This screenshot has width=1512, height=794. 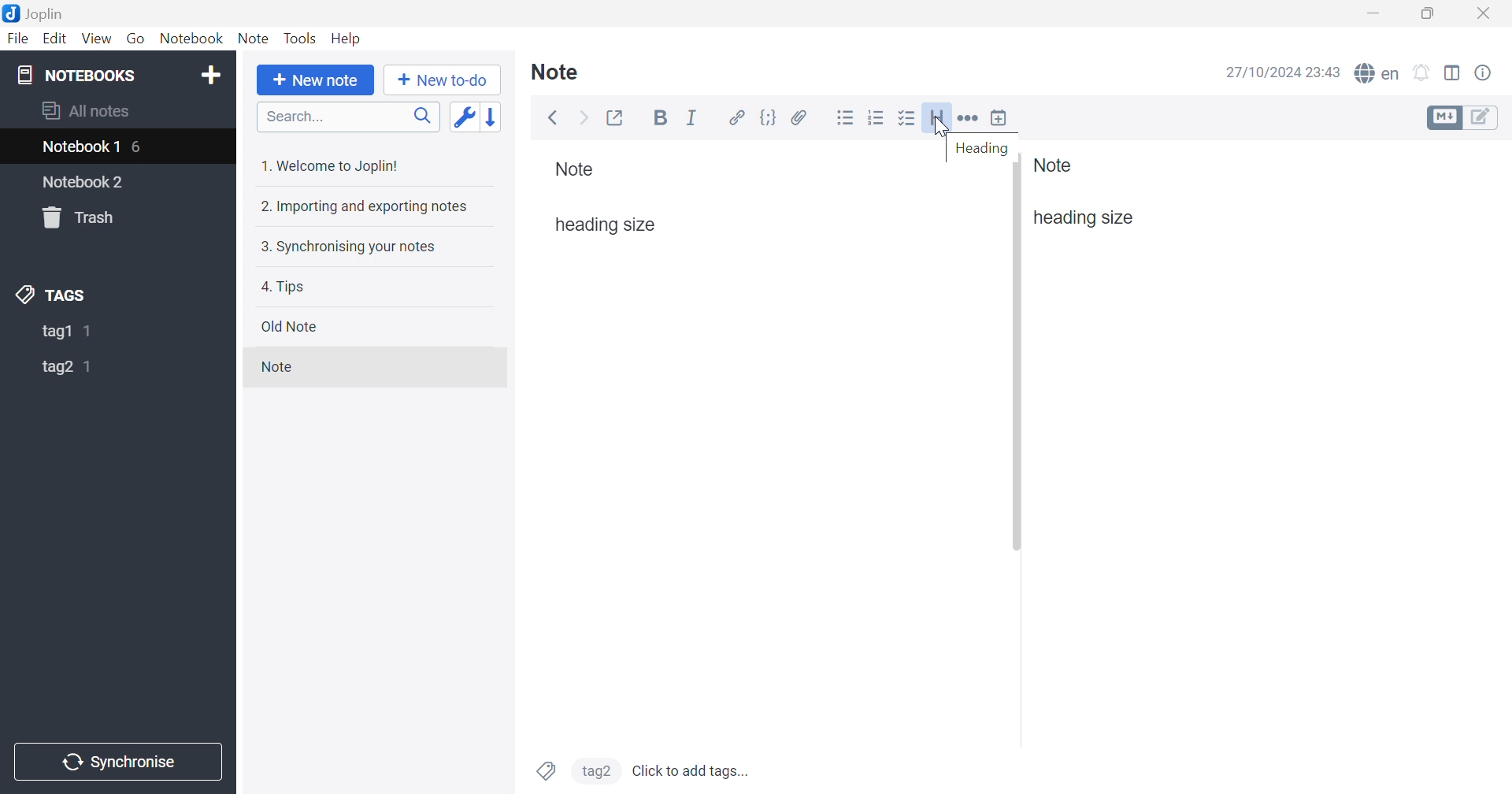 What do you see at coordinates (55, 369) in the screenshot?
I see `tag2` at bounding box center [55, 369].